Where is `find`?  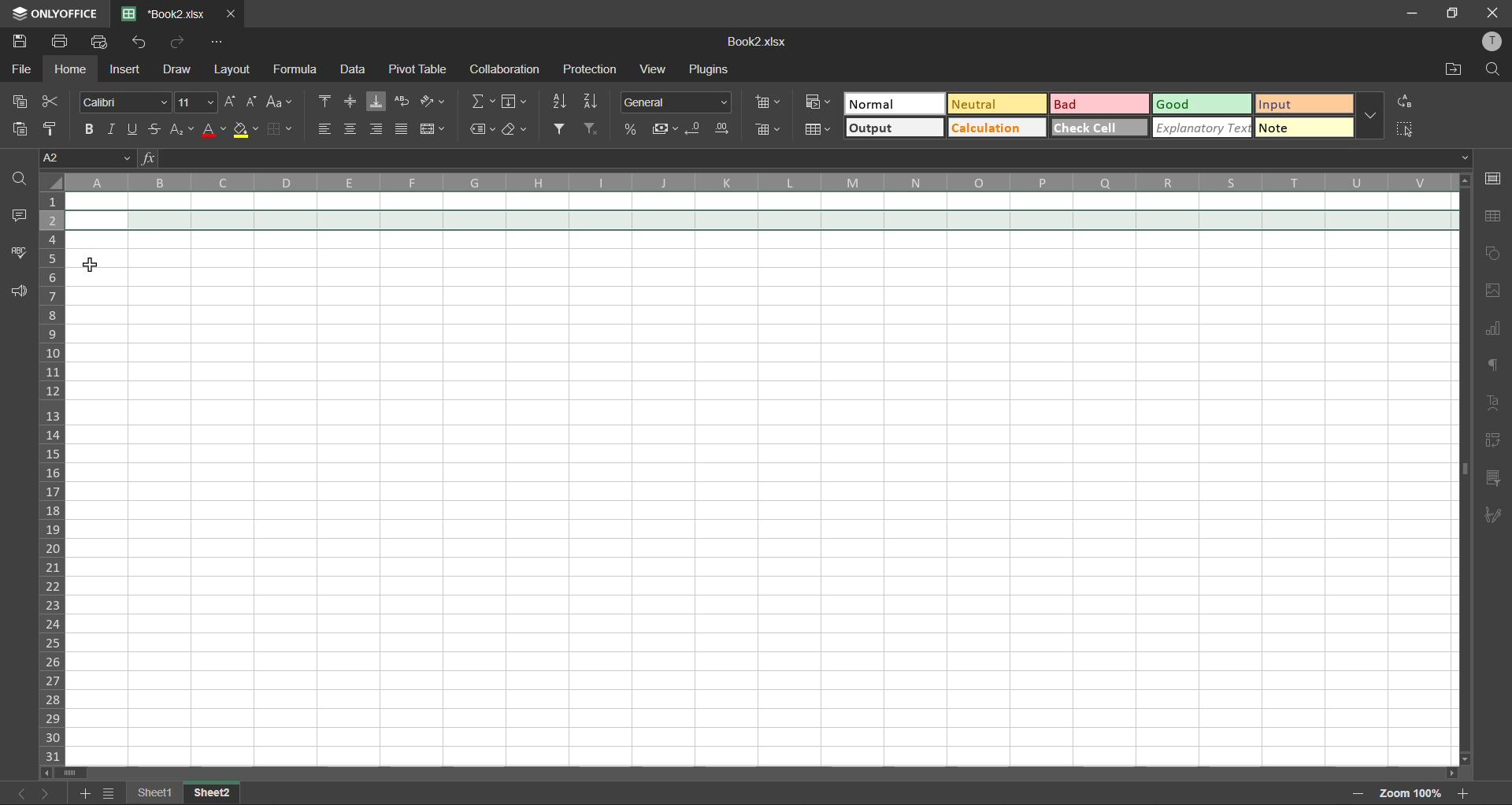 find is located at coordinates (1494, 69).